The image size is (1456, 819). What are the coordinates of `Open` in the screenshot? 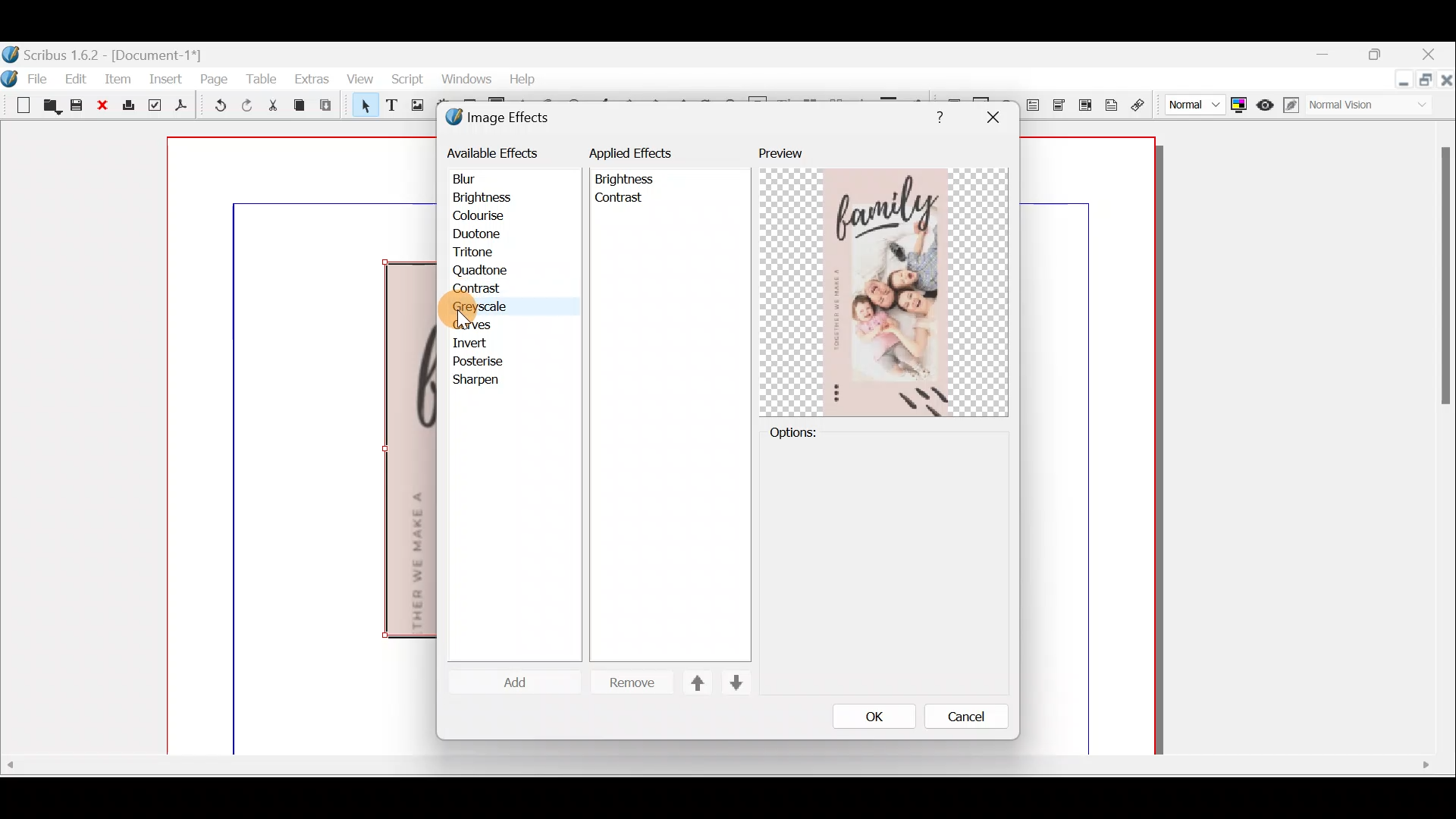 It's located at (48, 106).